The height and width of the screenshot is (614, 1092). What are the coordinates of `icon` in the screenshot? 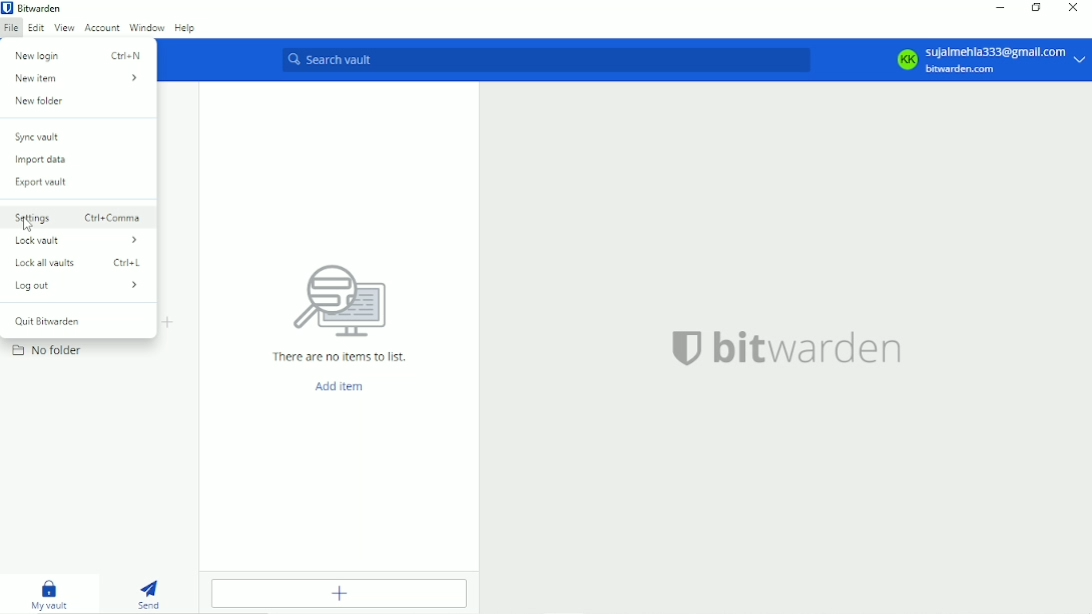 It's located at (338, 299).